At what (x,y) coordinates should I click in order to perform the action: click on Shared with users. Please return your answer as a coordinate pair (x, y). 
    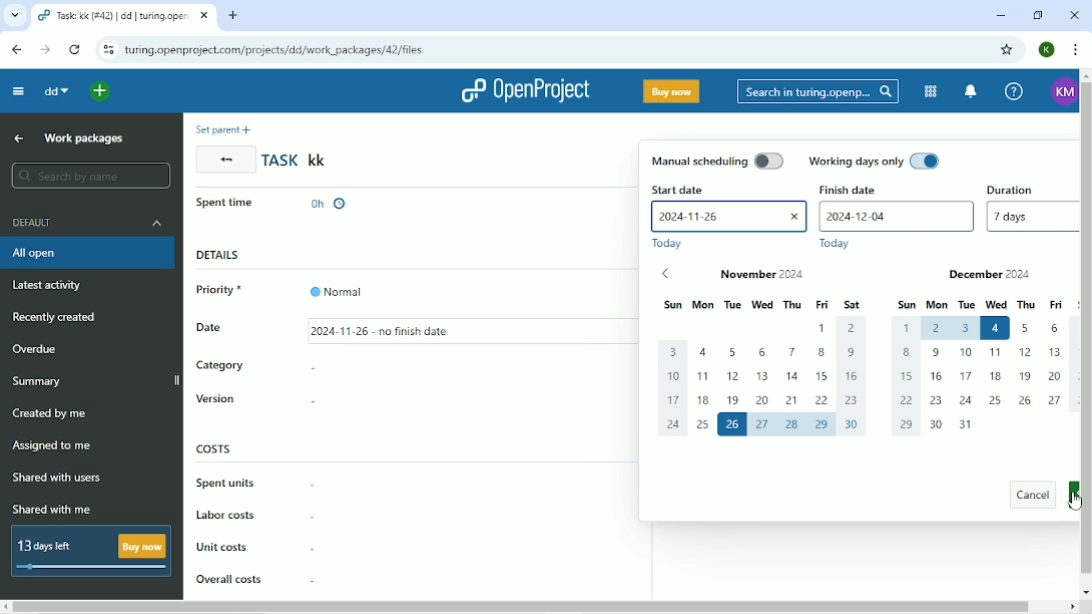
    Looking at the image, I should click on (57, 479).